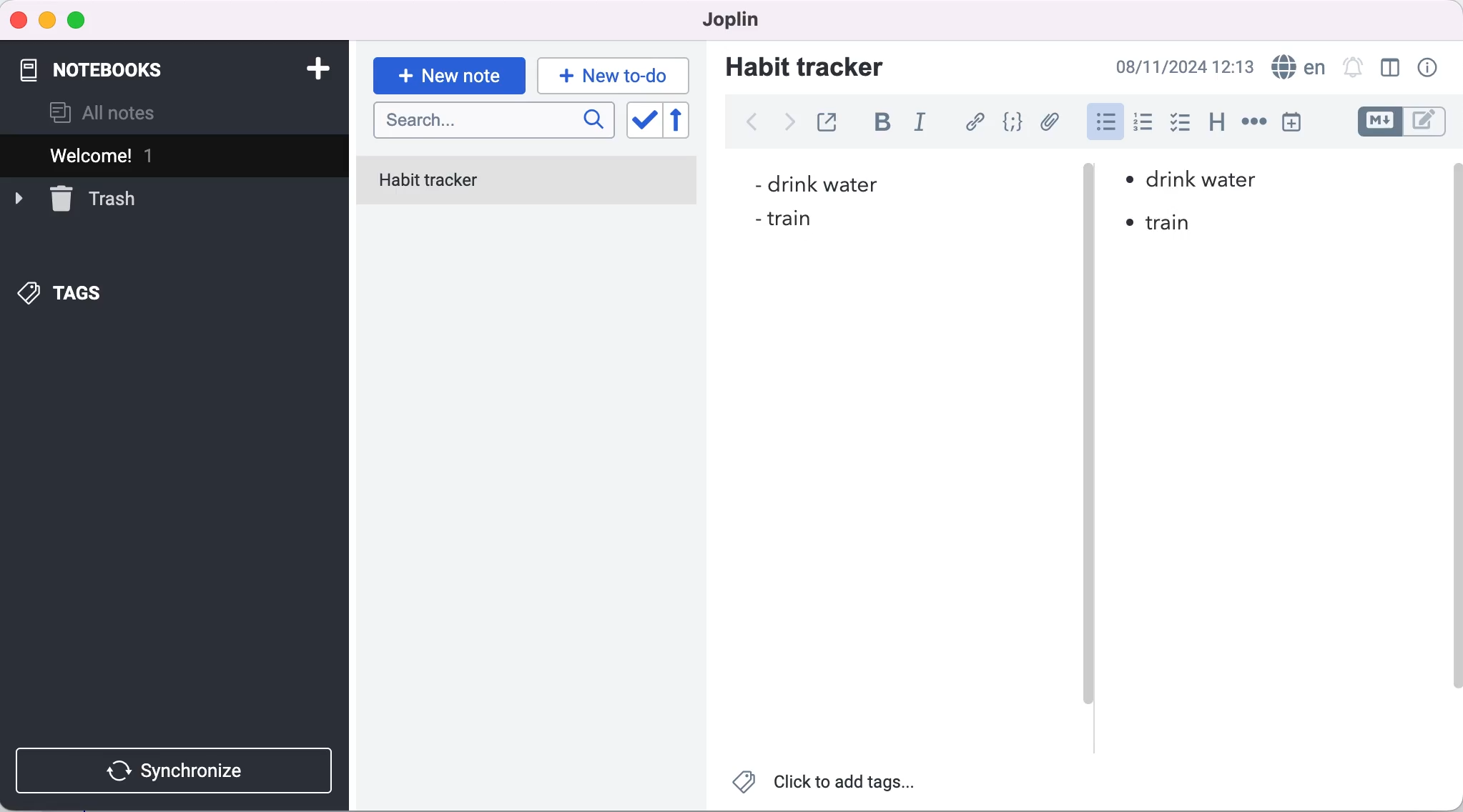  Describe the element at coordinates (1253, 123) in the screenshot. I see `horizontal rule` at that location.